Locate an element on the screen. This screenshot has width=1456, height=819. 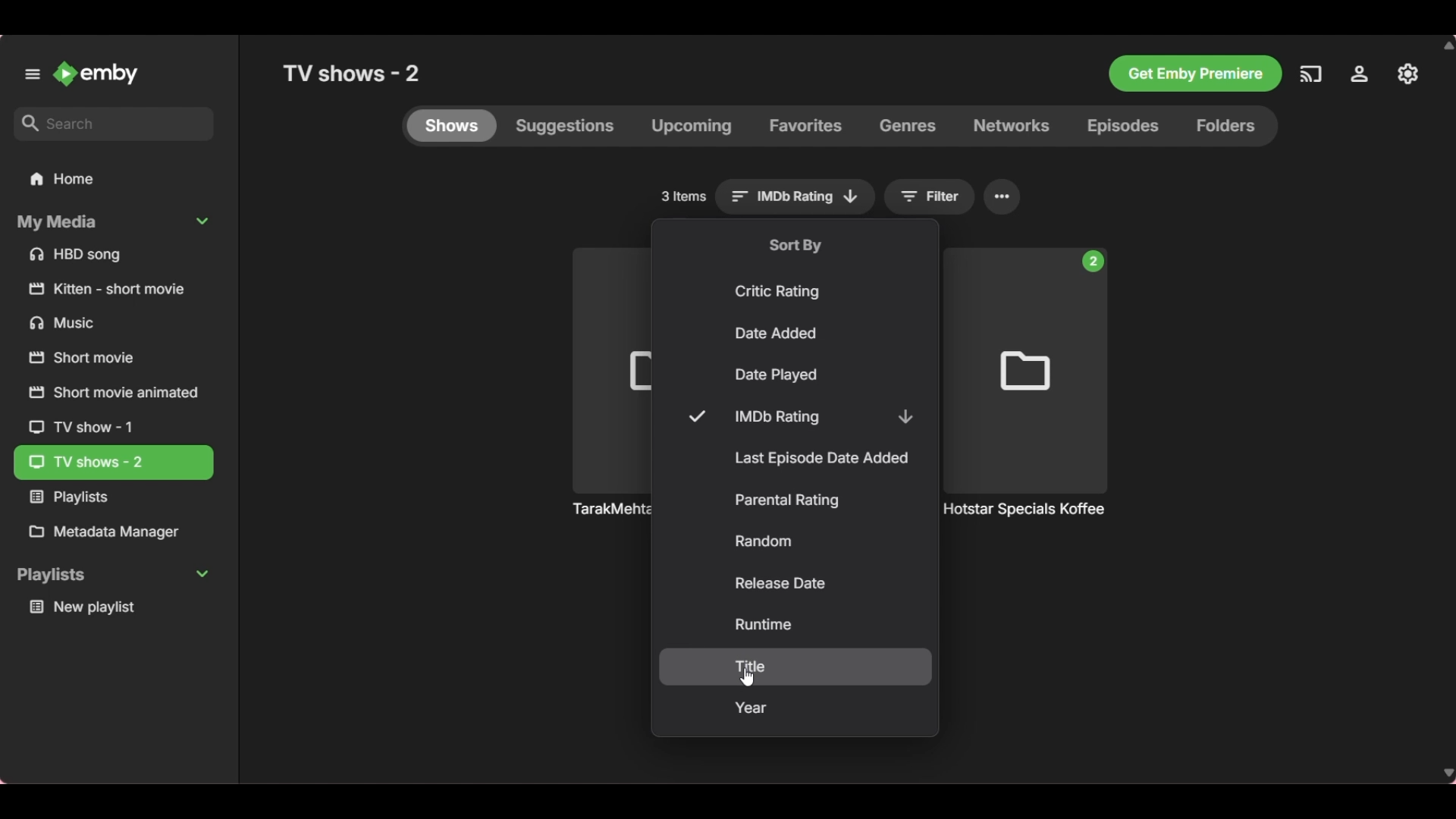
 is located at coordinates (108, 396).